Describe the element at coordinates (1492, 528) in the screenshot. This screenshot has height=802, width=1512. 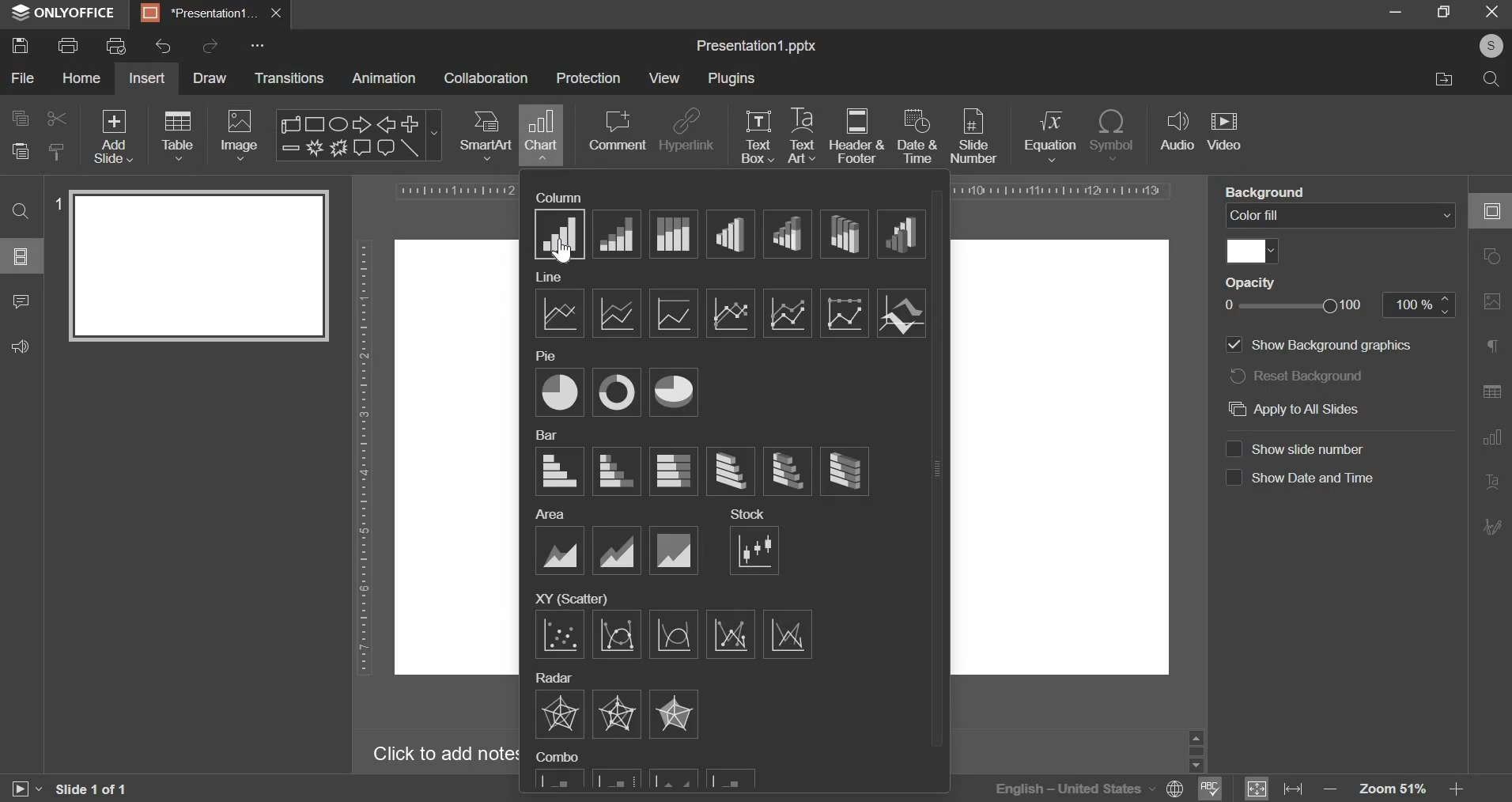
I see `signature` at that location.